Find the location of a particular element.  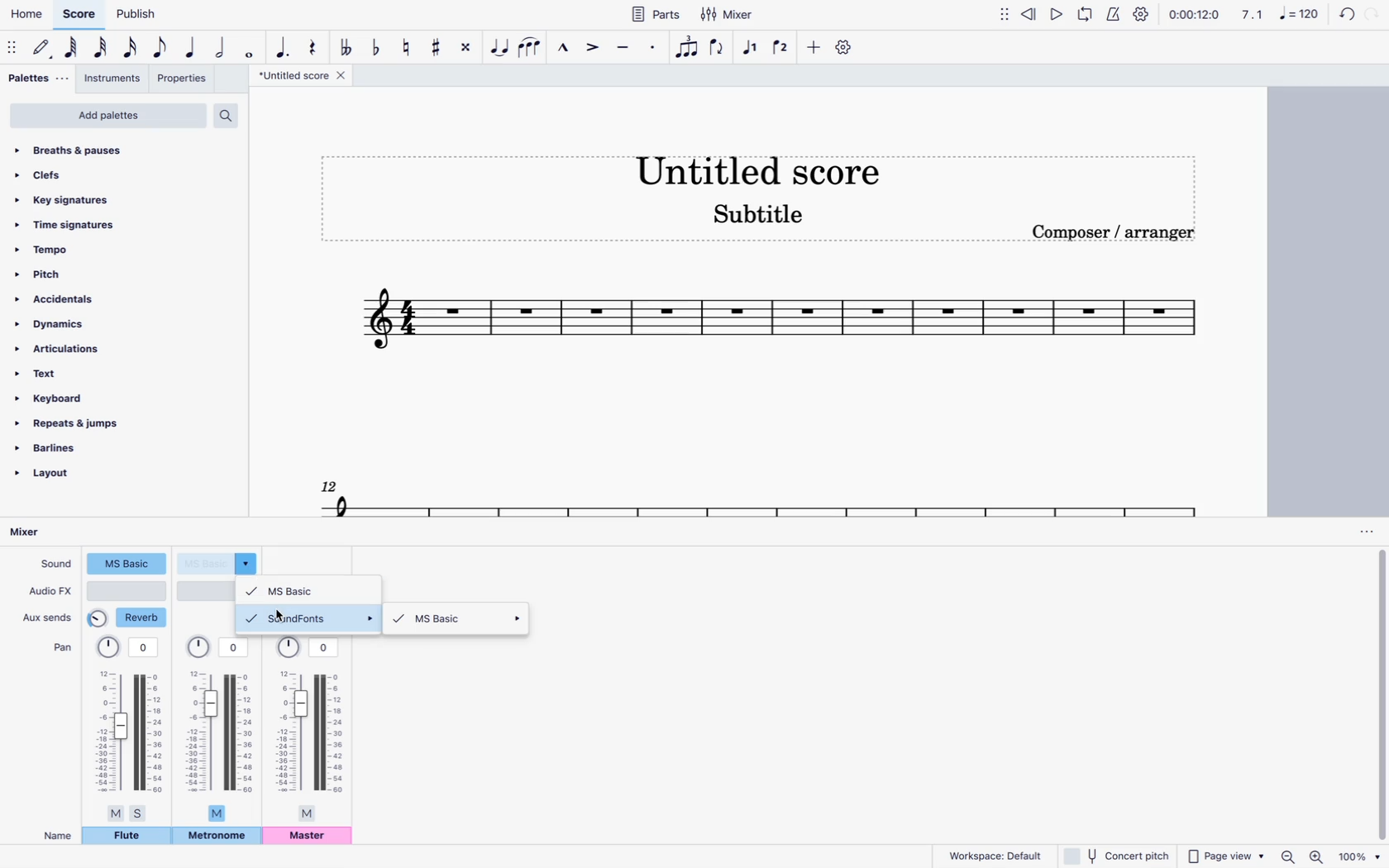

soundfonts is located at coordinates (311, 618).